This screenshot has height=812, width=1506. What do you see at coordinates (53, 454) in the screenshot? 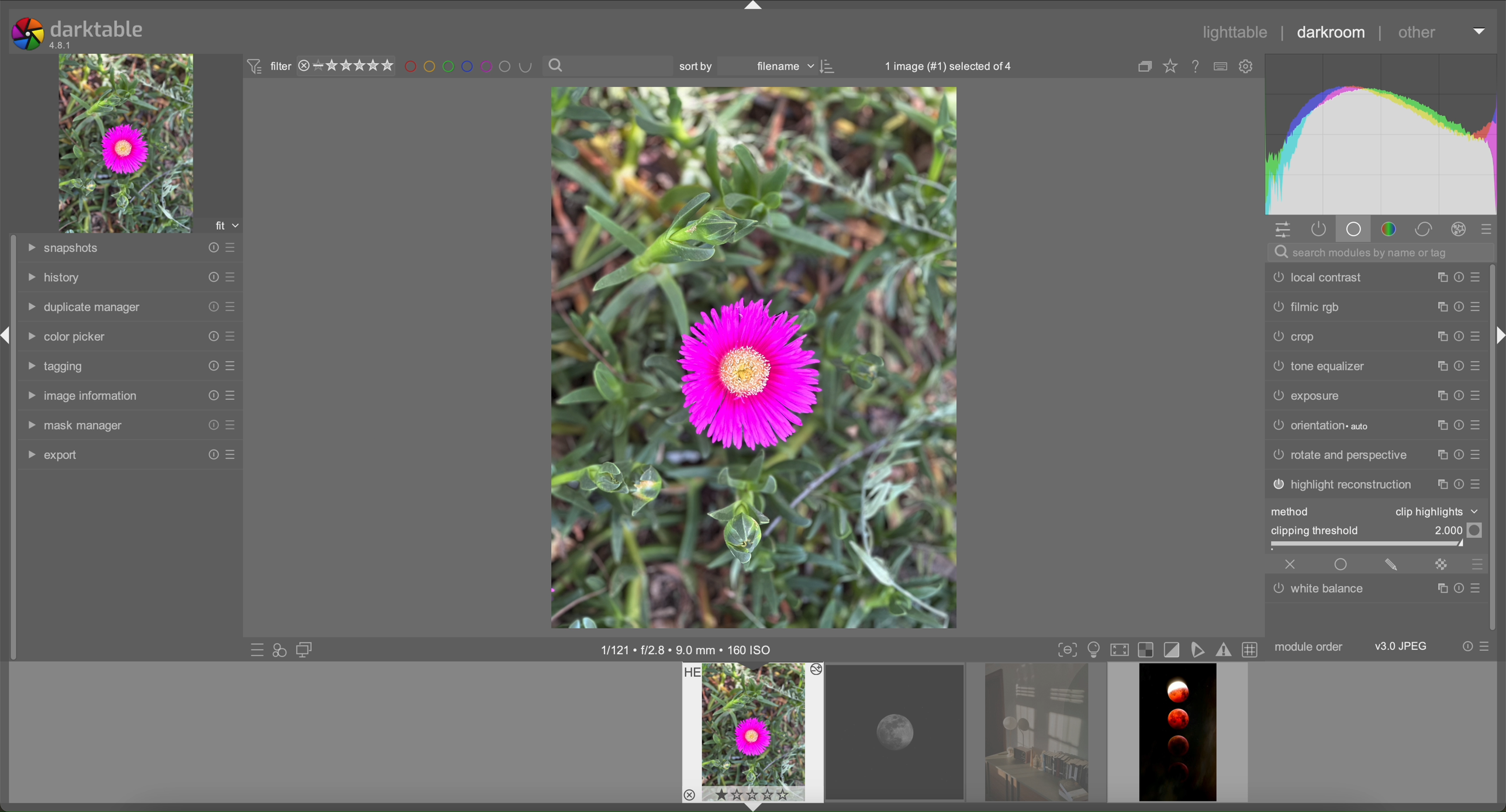
I see `export tab` at bounding box center [53, 454].